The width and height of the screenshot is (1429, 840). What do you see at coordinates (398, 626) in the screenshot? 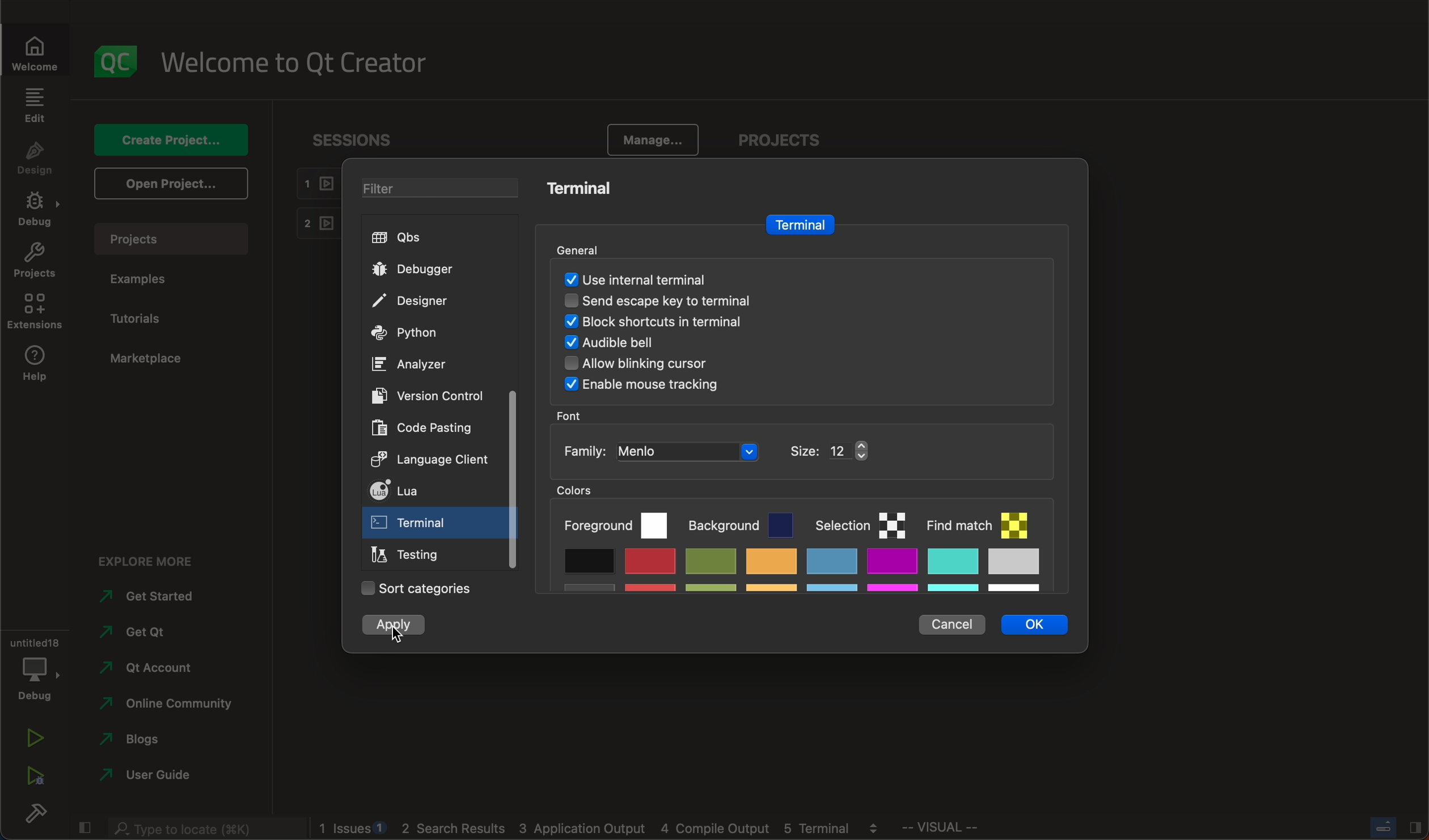
I see `click to apply changes` at bounding box center [398, 626].